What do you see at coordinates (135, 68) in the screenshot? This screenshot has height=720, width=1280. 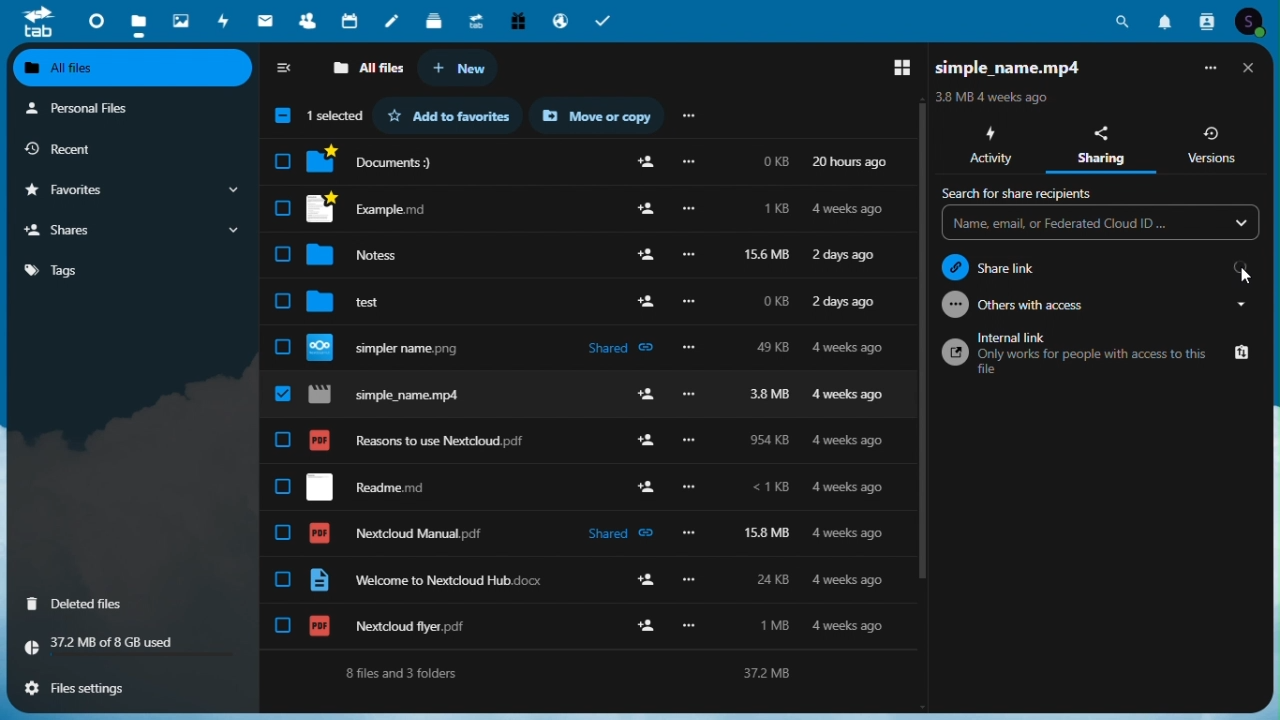 I see `All files` at bounding box center [135, 68].